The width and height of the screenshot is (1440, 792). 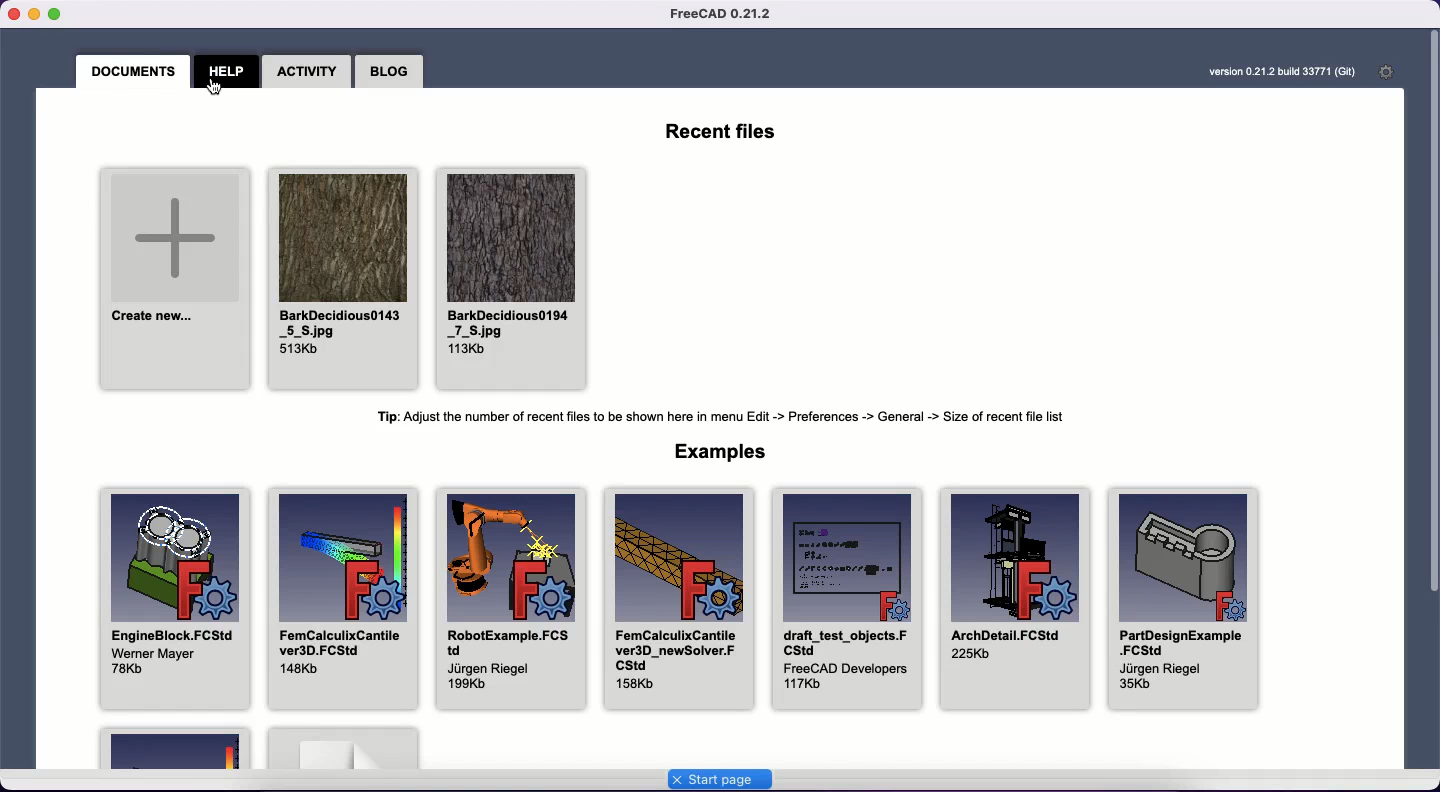 I want to click on Examples, so click(x=716, y=452).